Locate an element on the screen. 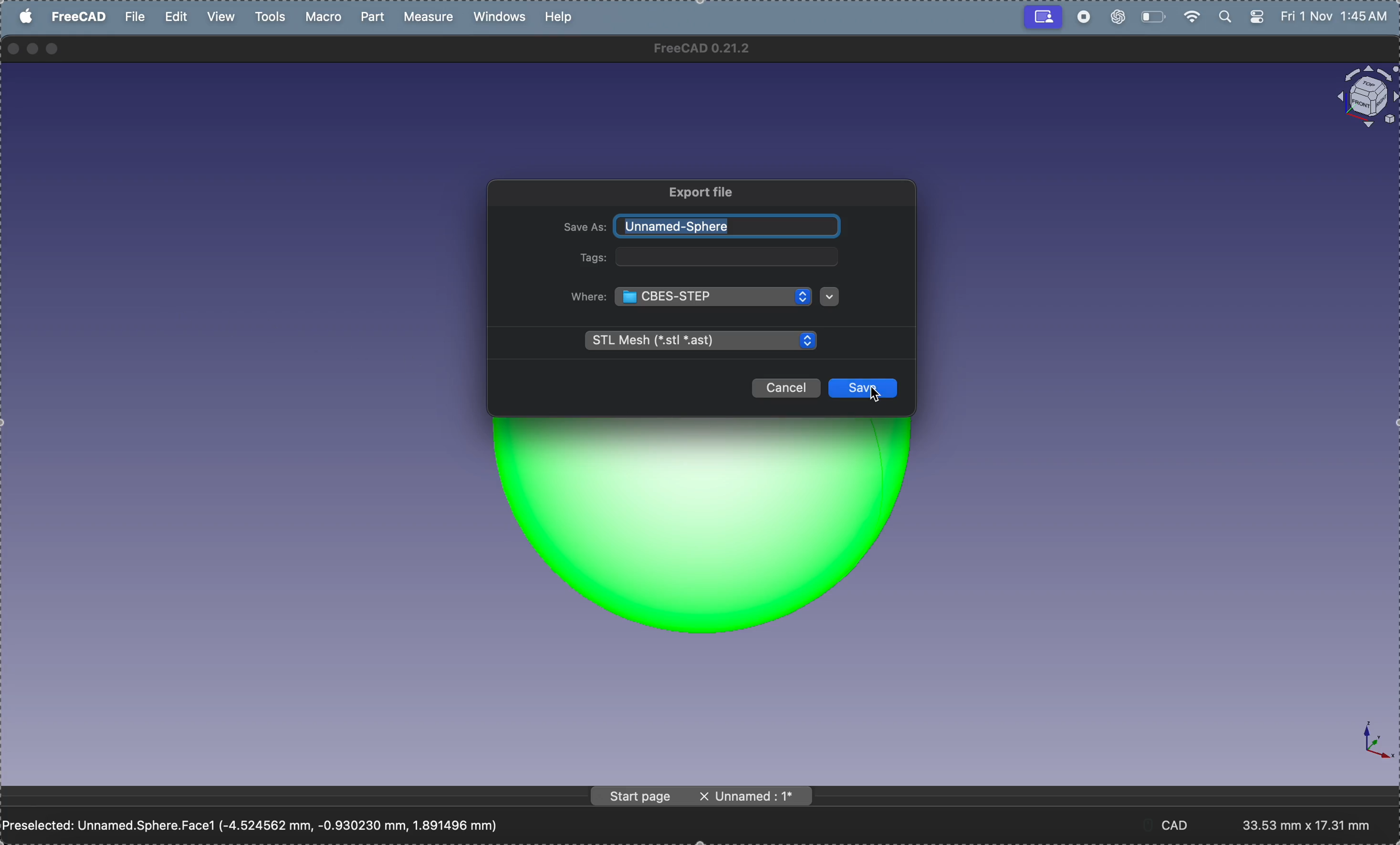 This screenshot has height=845, width=1400. tags is located at coordinates (593, 259).